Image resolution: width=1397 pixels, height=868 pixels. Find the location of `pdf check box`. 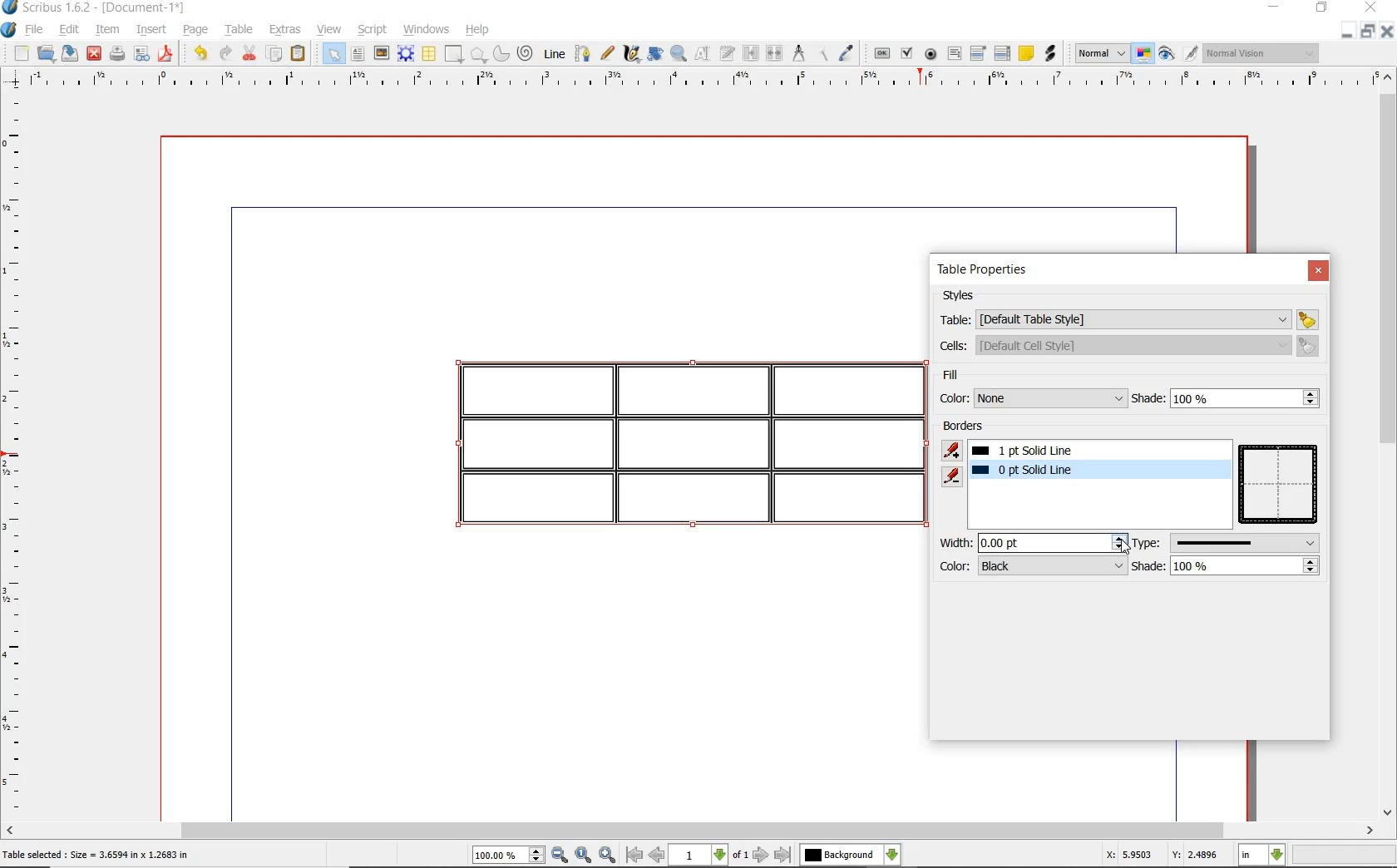

pdf check box is located at coordinates (908, 55).